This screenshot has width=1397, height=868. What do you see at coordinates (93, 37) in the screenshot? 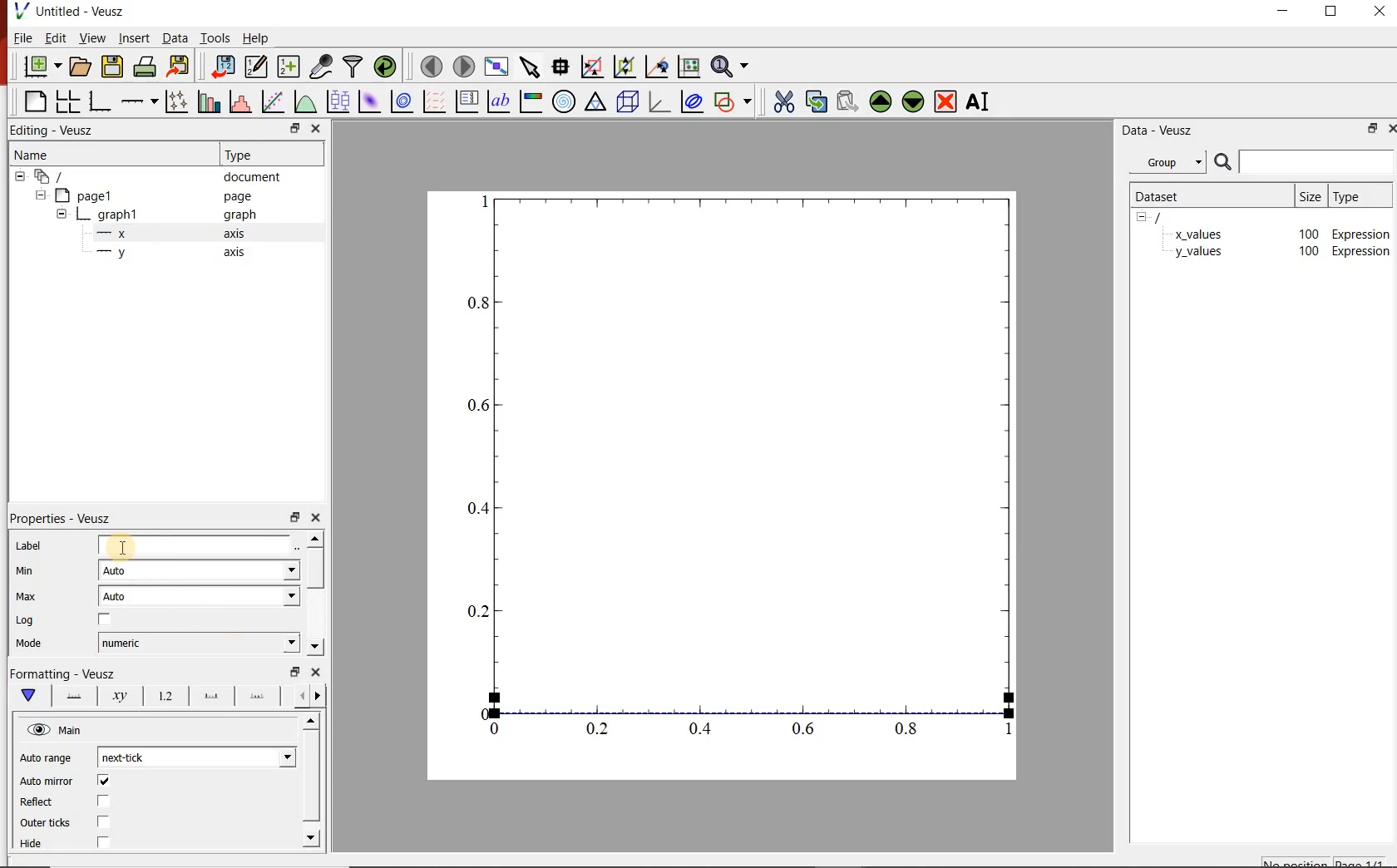
I see `view` at bounding box center [93, 37].